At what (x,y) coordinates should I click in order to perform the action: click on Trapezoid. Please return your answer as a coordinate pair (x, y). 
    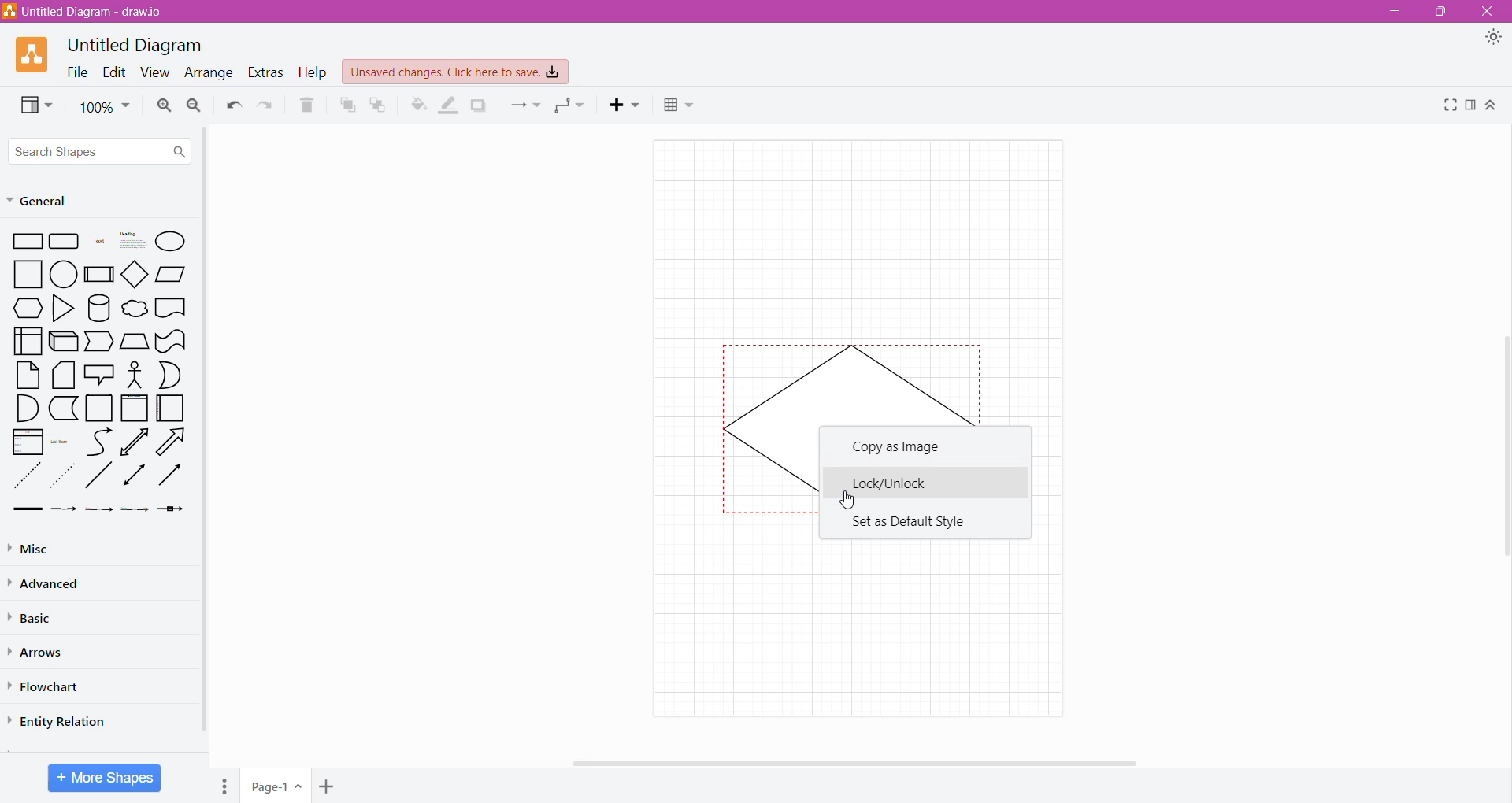
    Looking at the image, I should click on (134, 342).